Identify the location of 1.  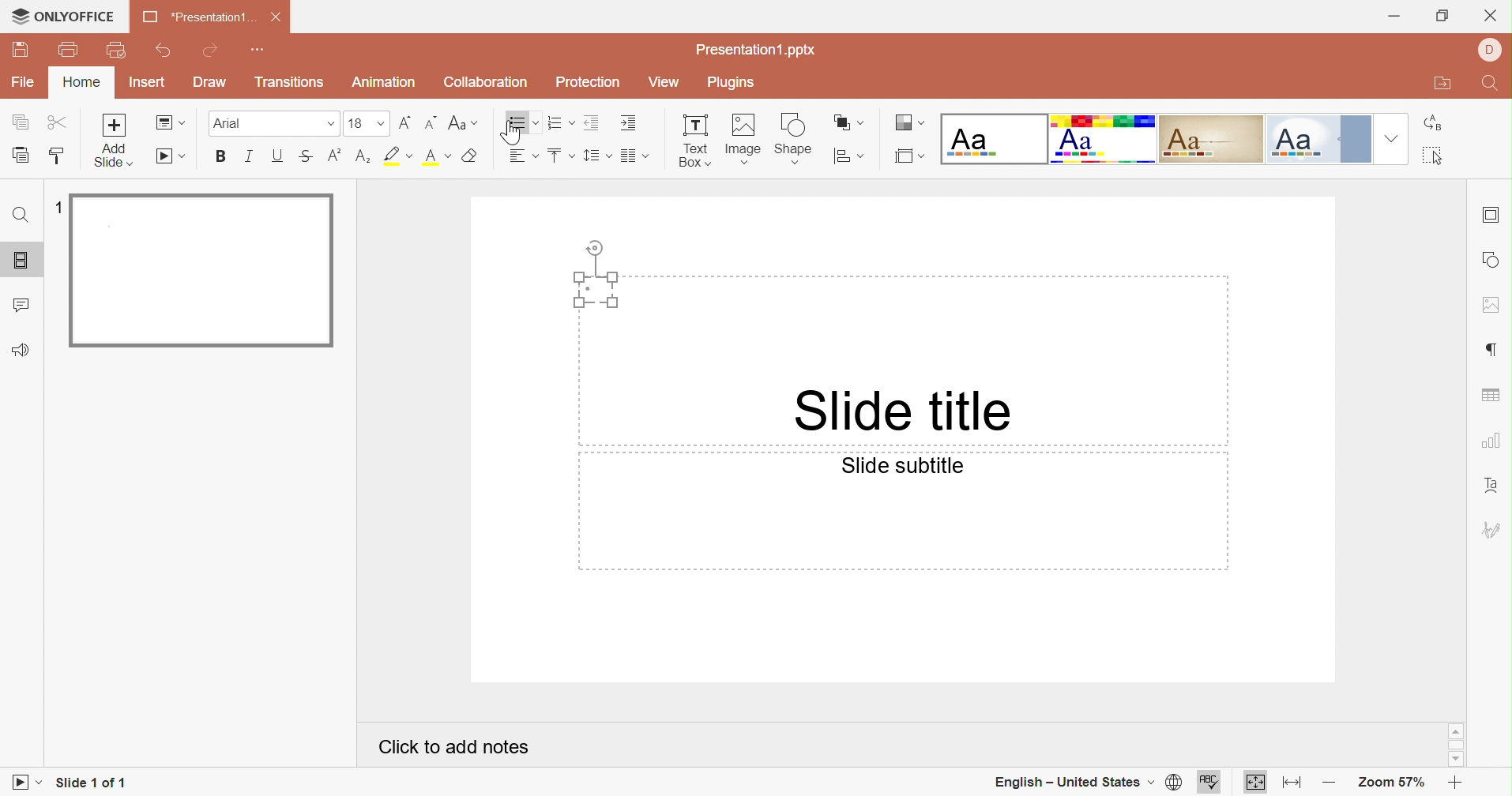
(56, 210).